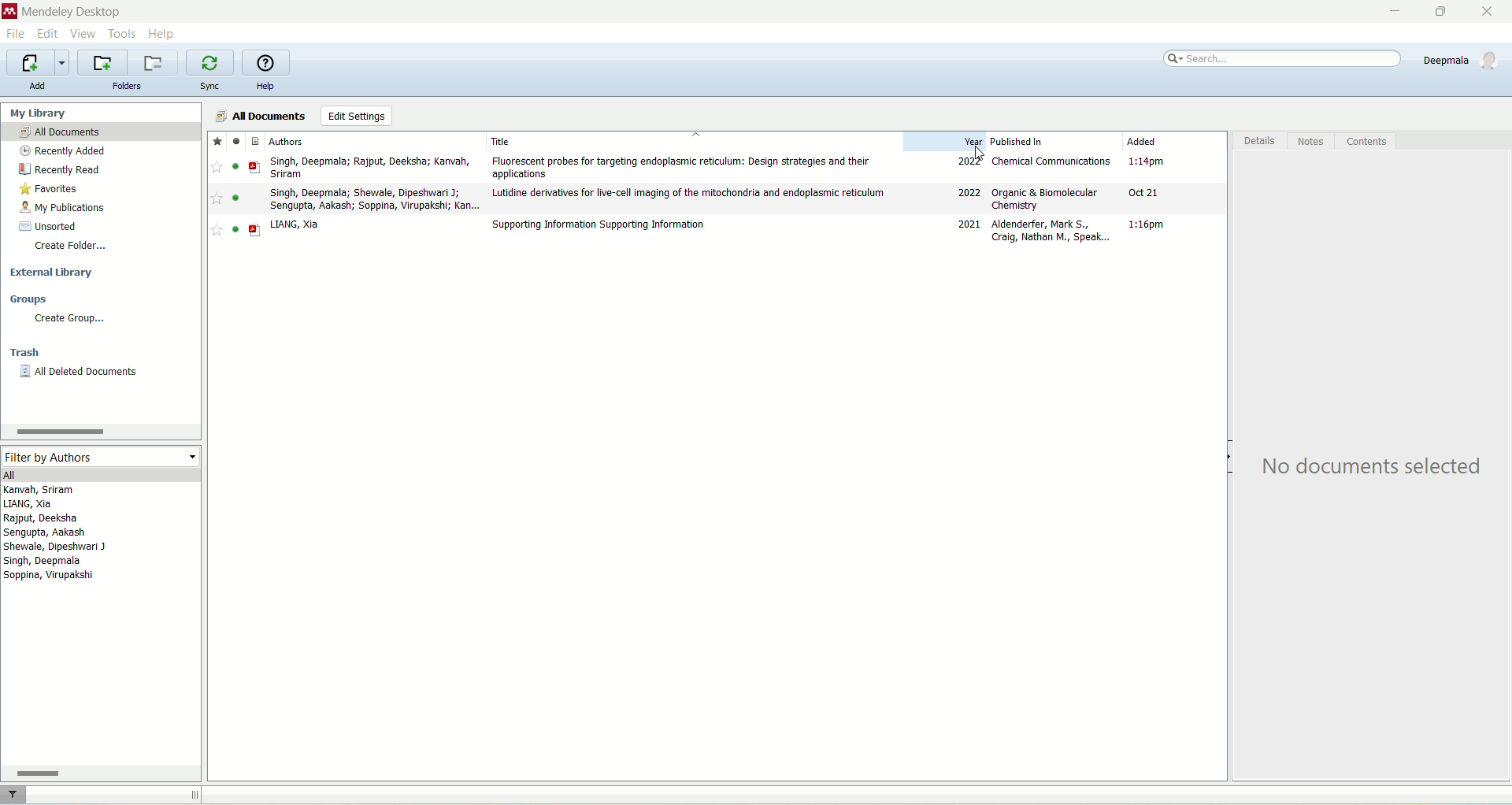  Describe the element at coordinates (42, 518) in the screenshot. I see `Rajput, Deeksha` at that location.